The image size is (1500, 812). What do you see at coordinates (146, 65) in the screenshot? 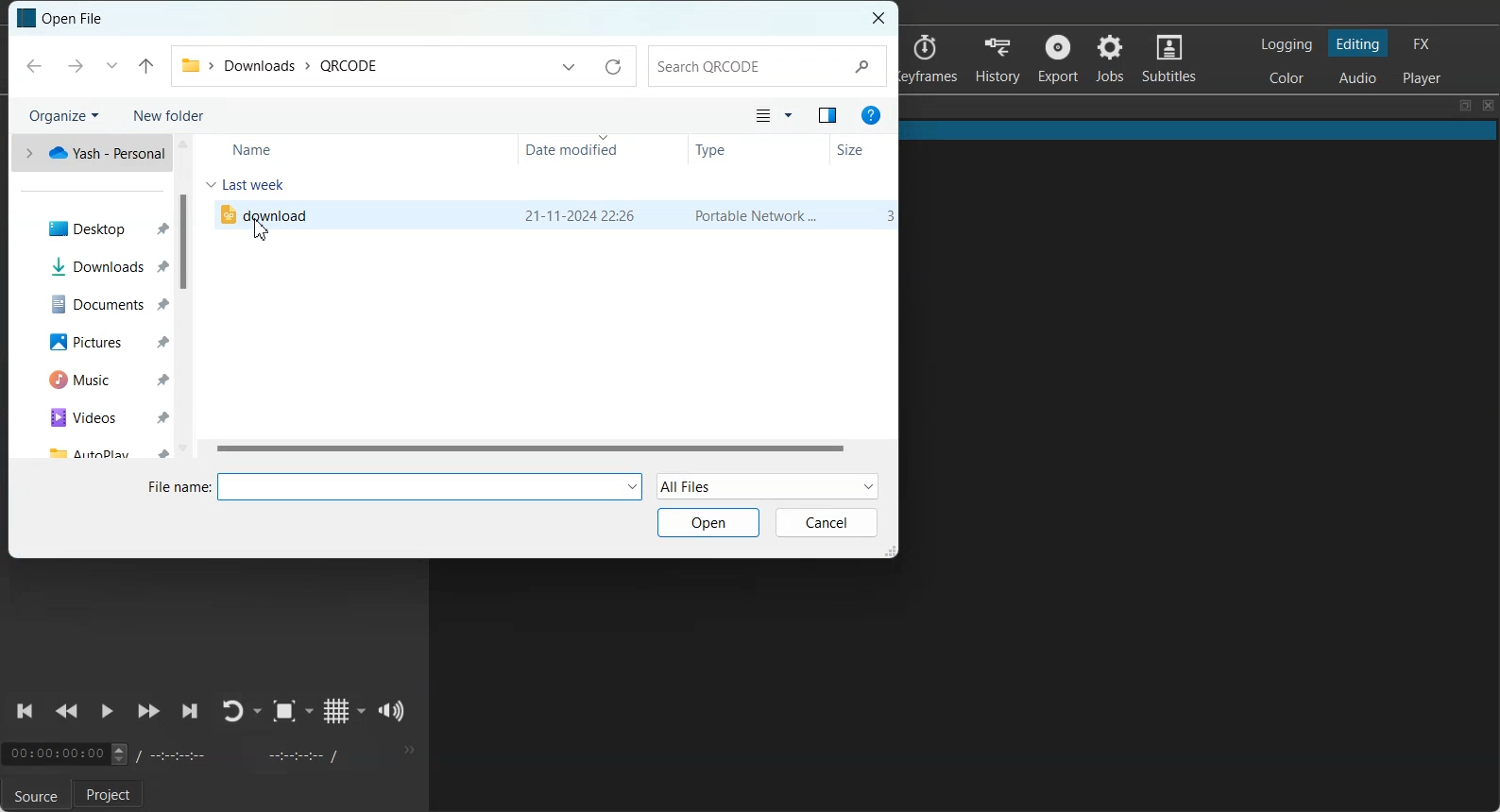
I see `Up to last file` at bounding box center [146, 65].